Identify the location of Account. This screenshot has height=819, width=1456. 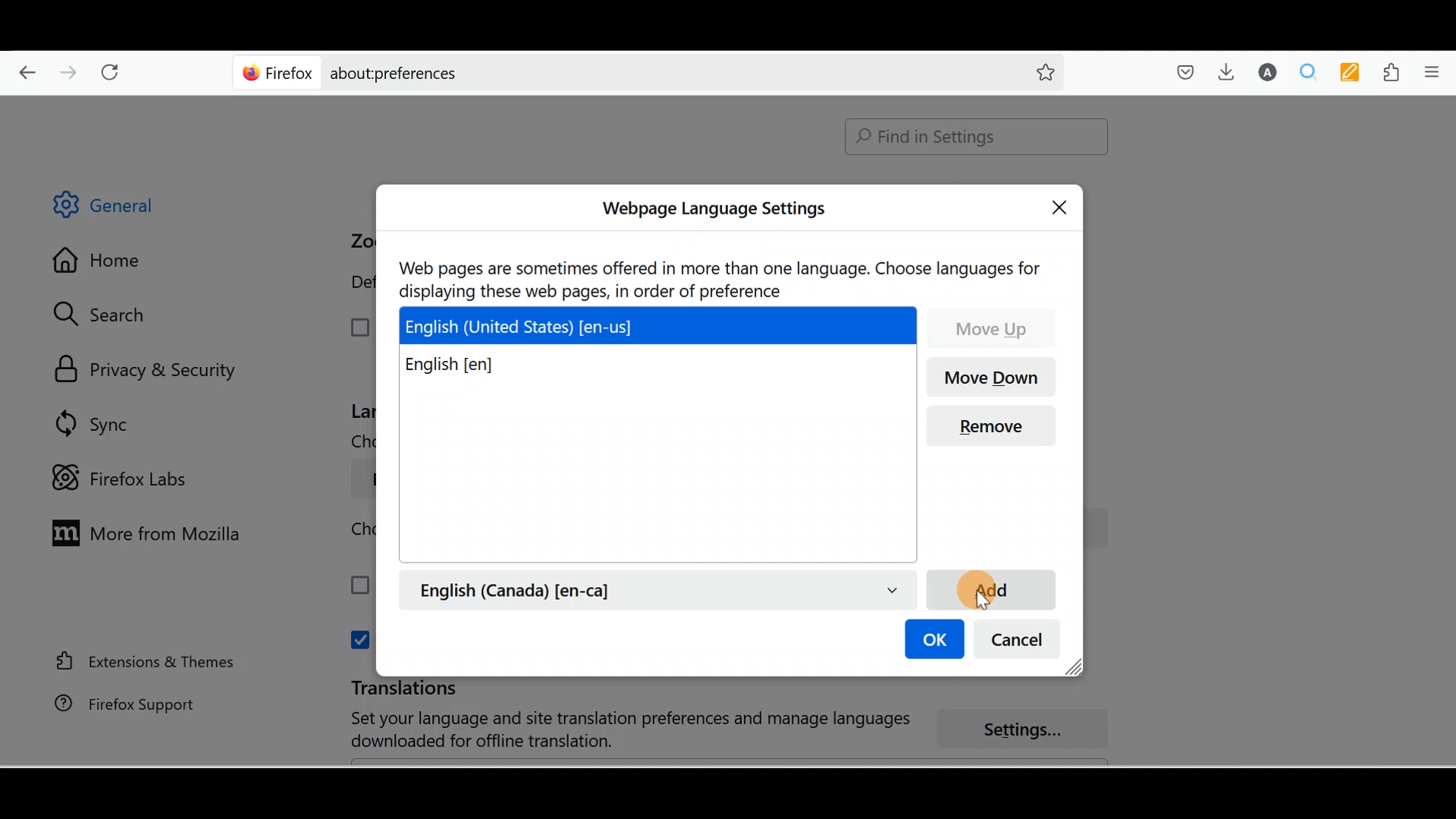
(1264, 72).